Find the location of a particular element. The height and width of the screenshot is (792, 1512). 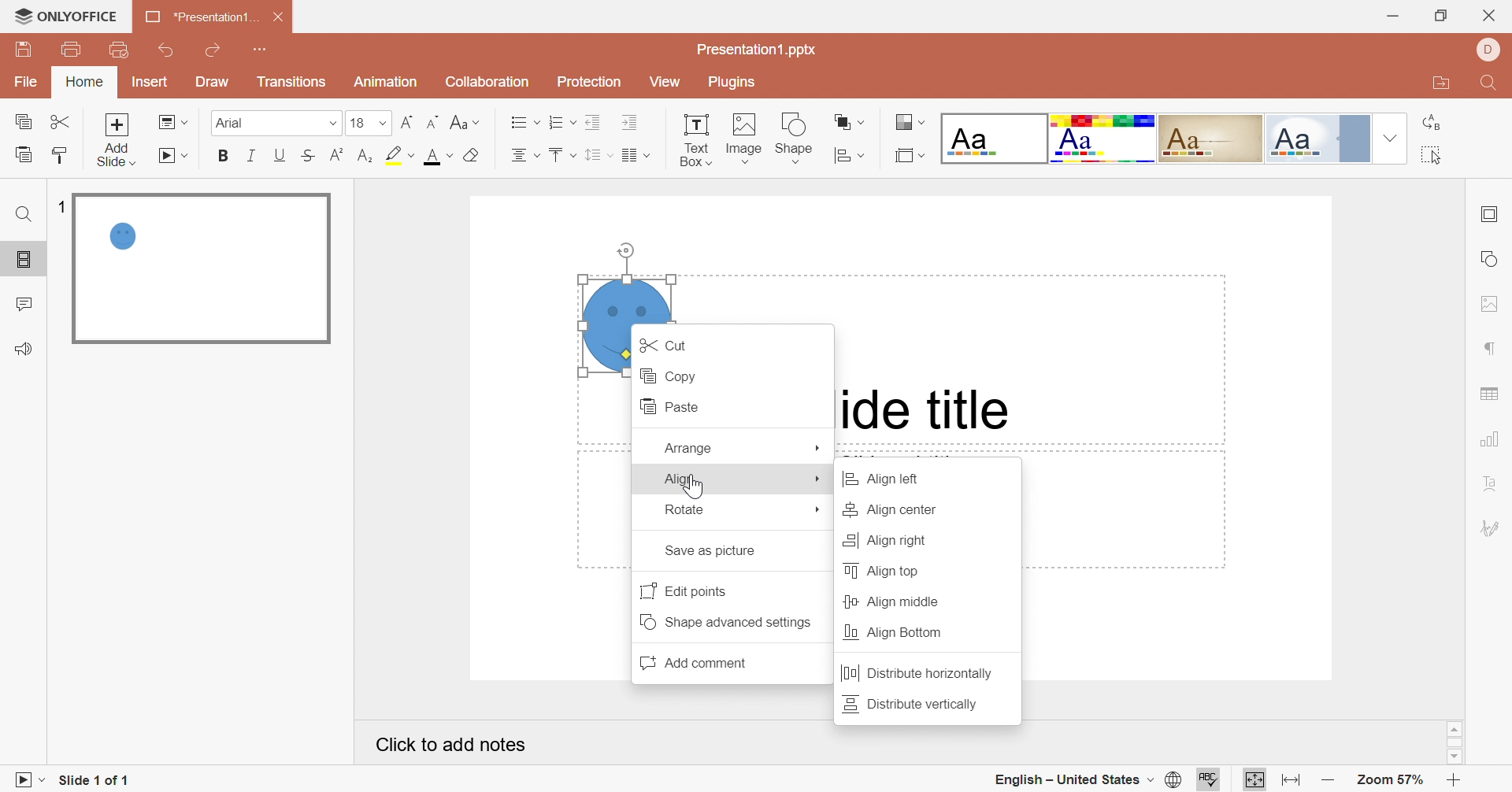

Select slide size is located at coordinates (910, 156).